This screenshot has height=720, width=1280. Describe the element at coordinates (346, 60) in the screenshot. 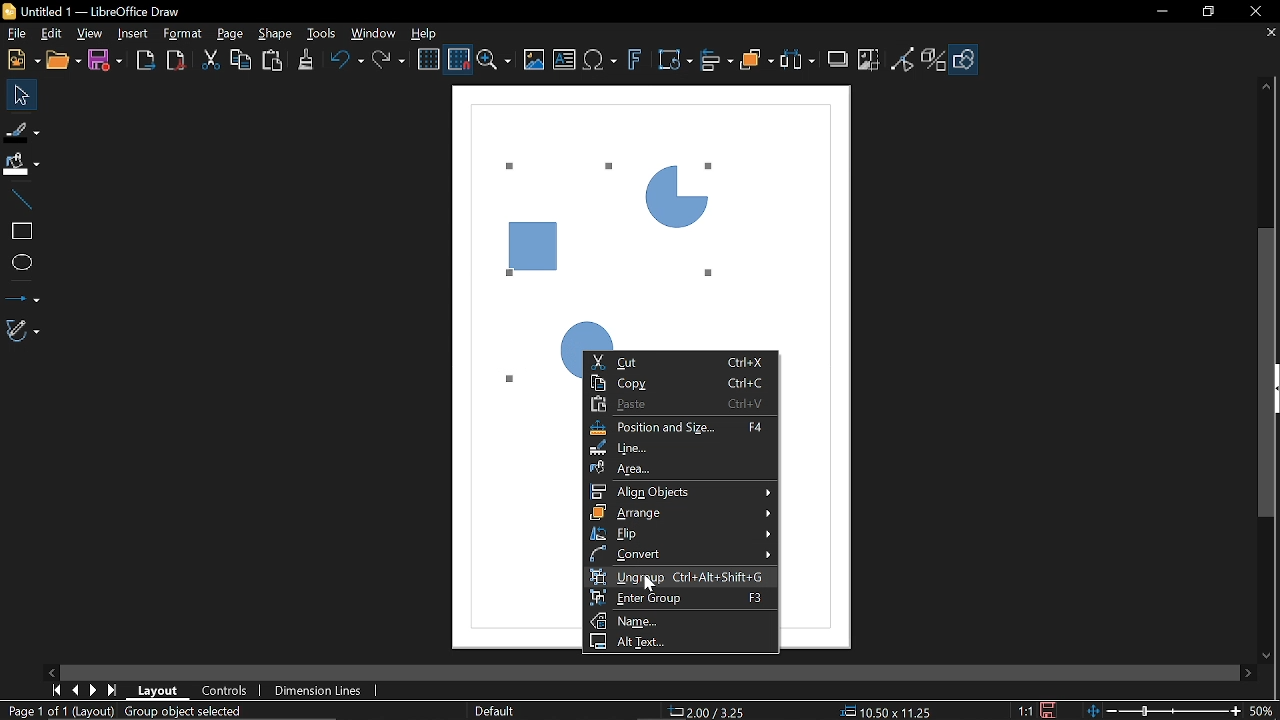

I see `undo` at that location.